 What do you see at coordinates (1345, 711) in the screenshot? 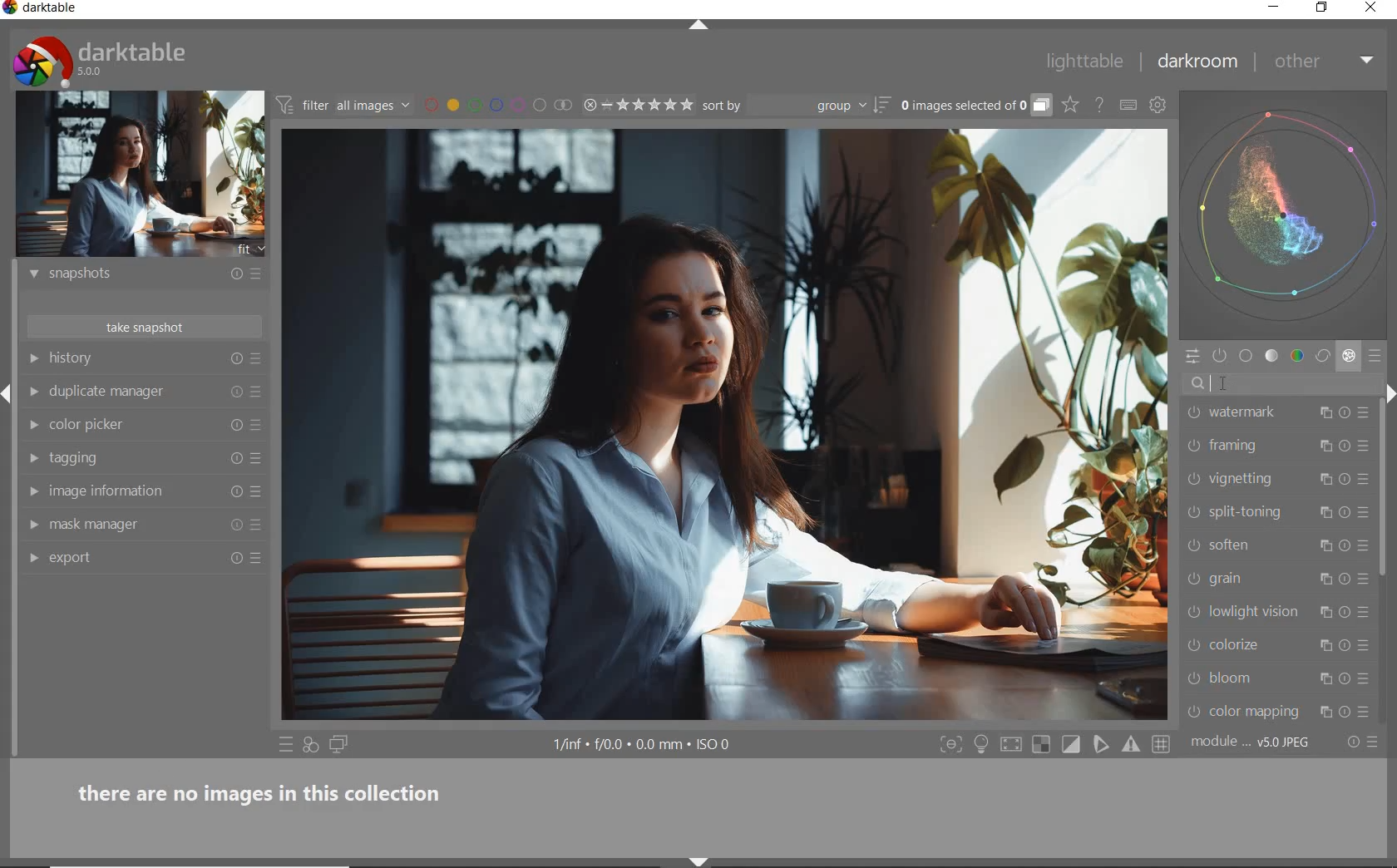
I see `reset` at bounding box center [1345, 711].